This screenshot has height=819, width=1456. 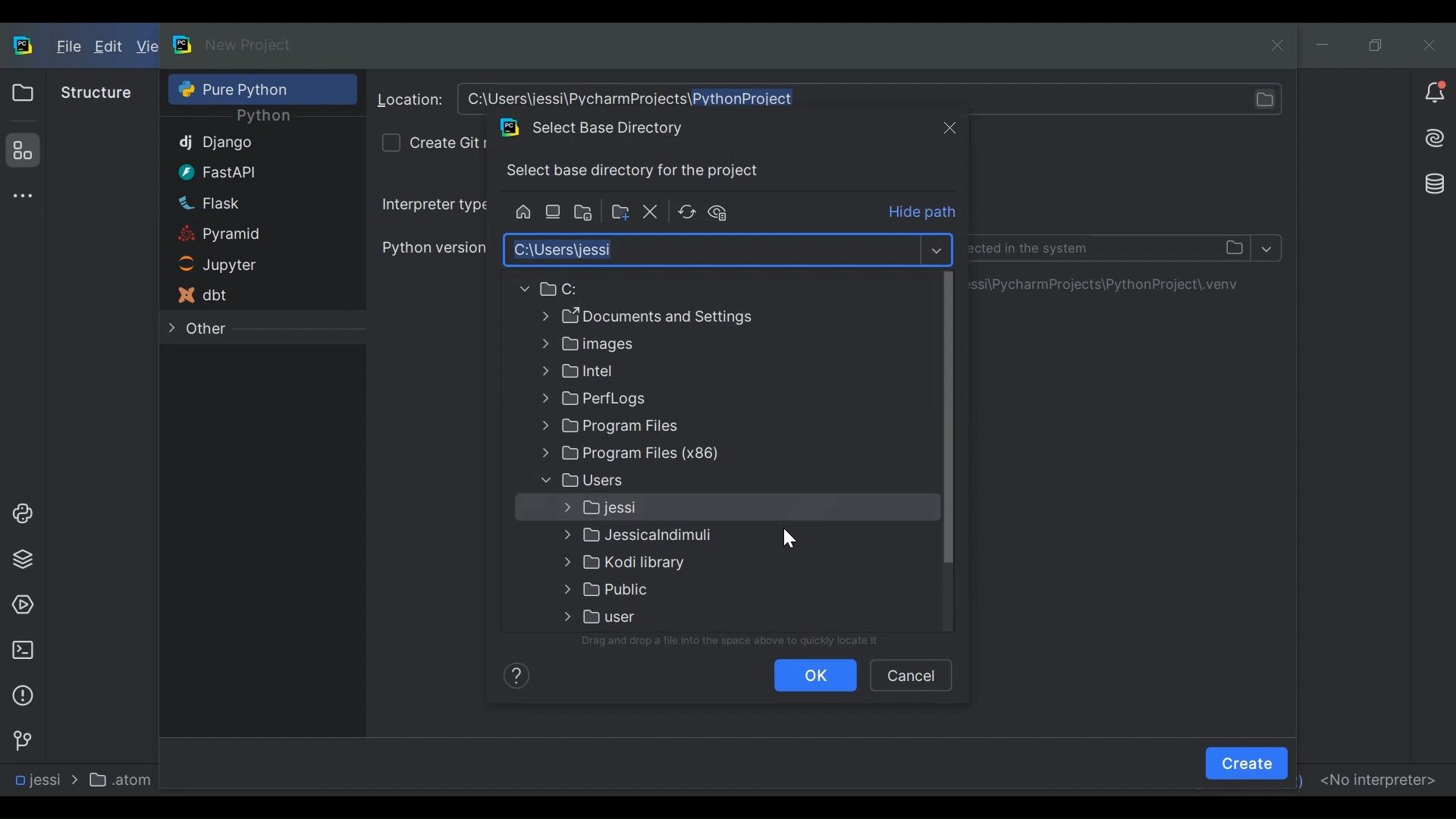 I want to click on jes, so click(x=35, y=780).